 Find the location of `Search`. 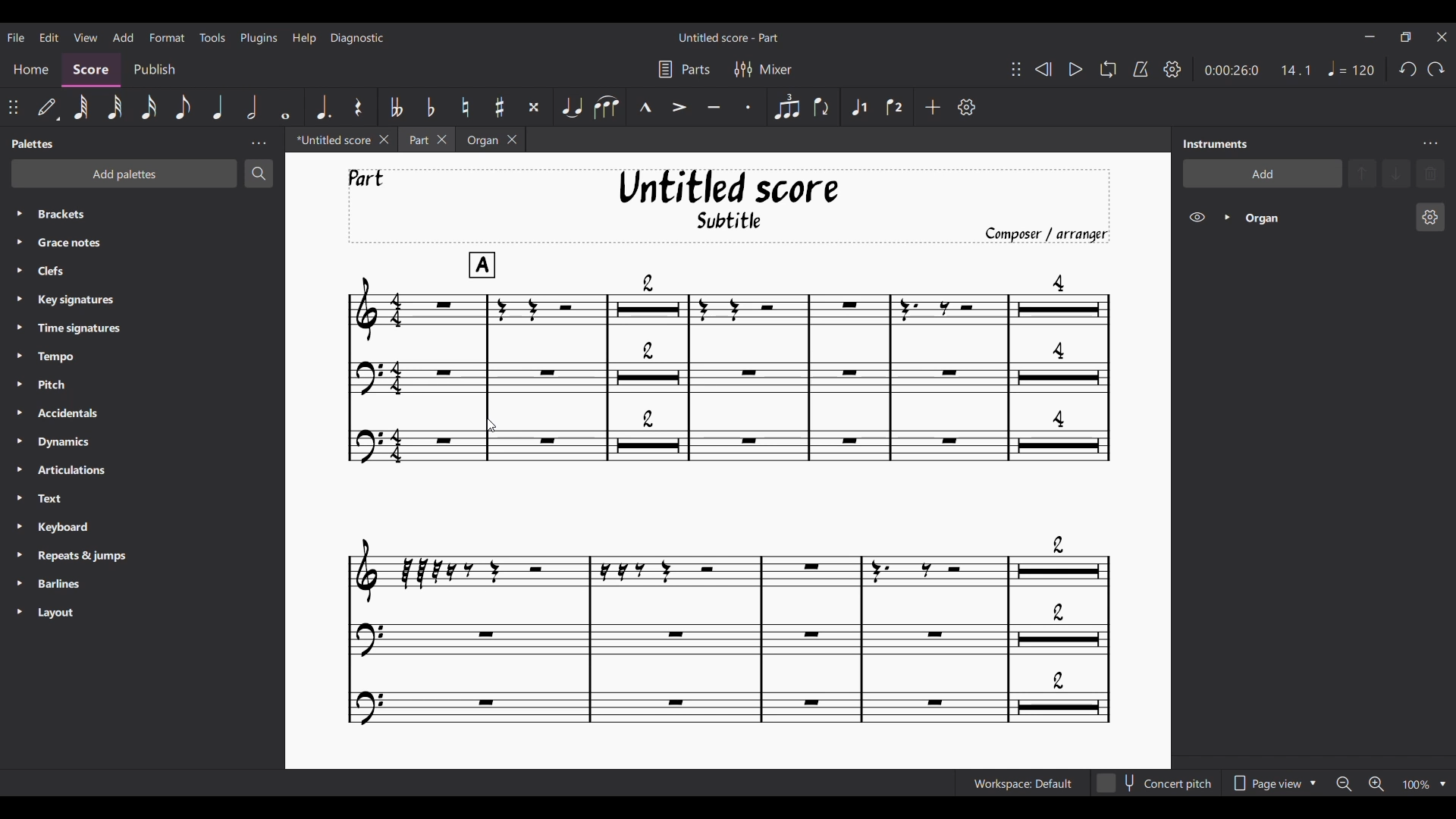

Search is located at coordinates (259, 174).